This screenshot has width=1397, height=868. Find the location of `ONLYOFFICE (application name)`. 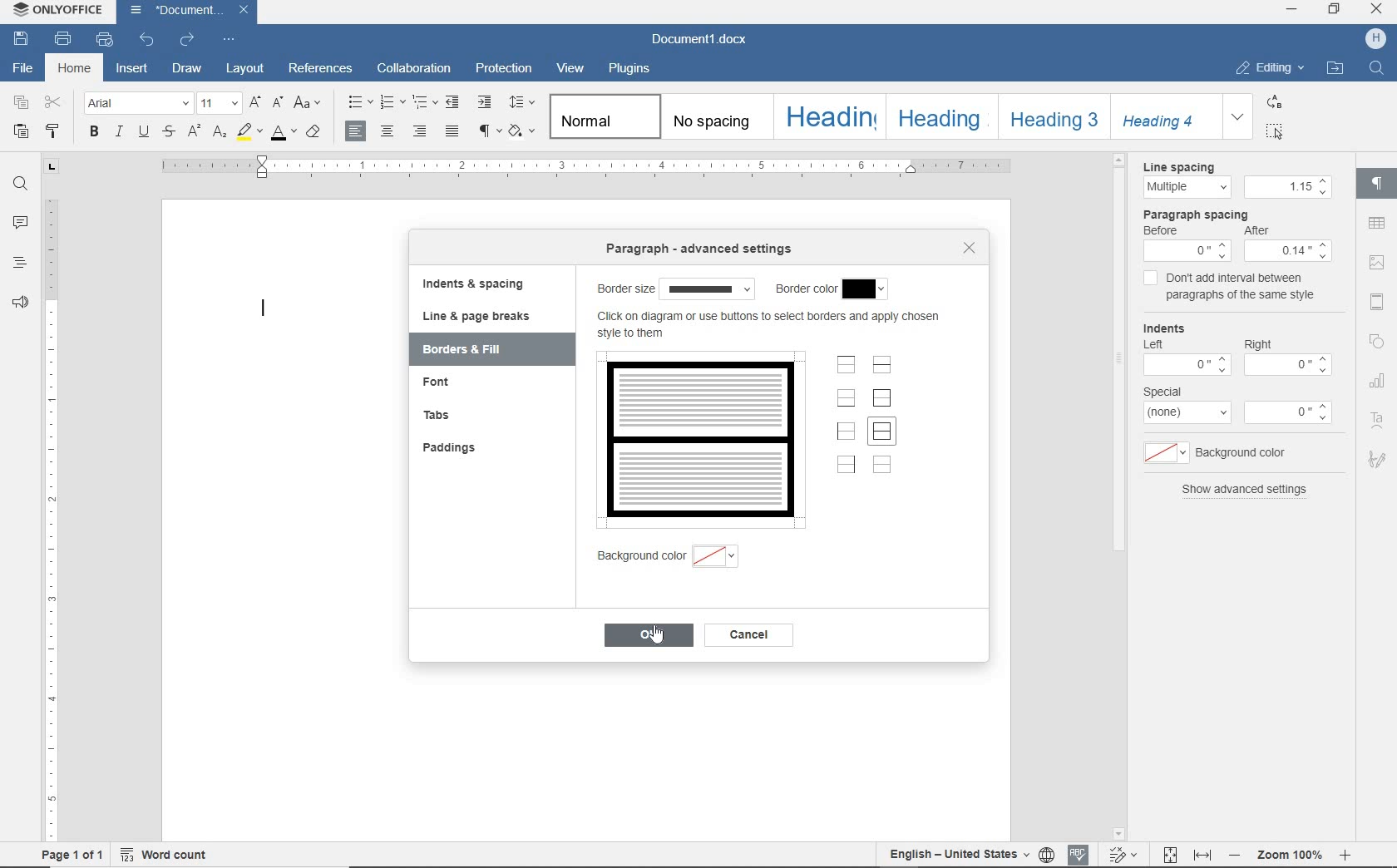

ONLYOFFICE (application name) is located at coordinates (62, 12).